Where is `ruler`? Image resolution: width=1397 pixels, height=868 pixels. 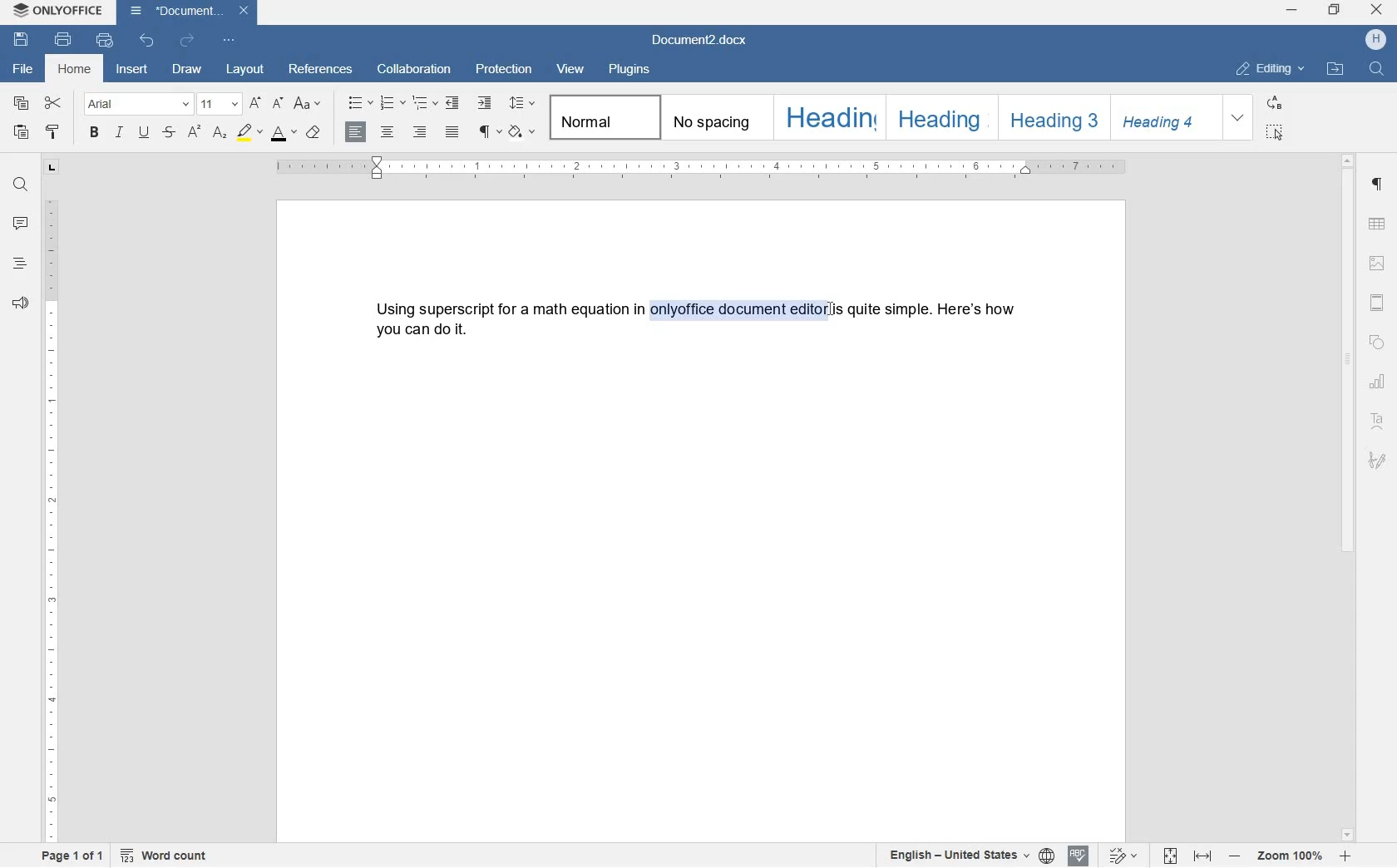
ruler is located at coordinates (702, 167).